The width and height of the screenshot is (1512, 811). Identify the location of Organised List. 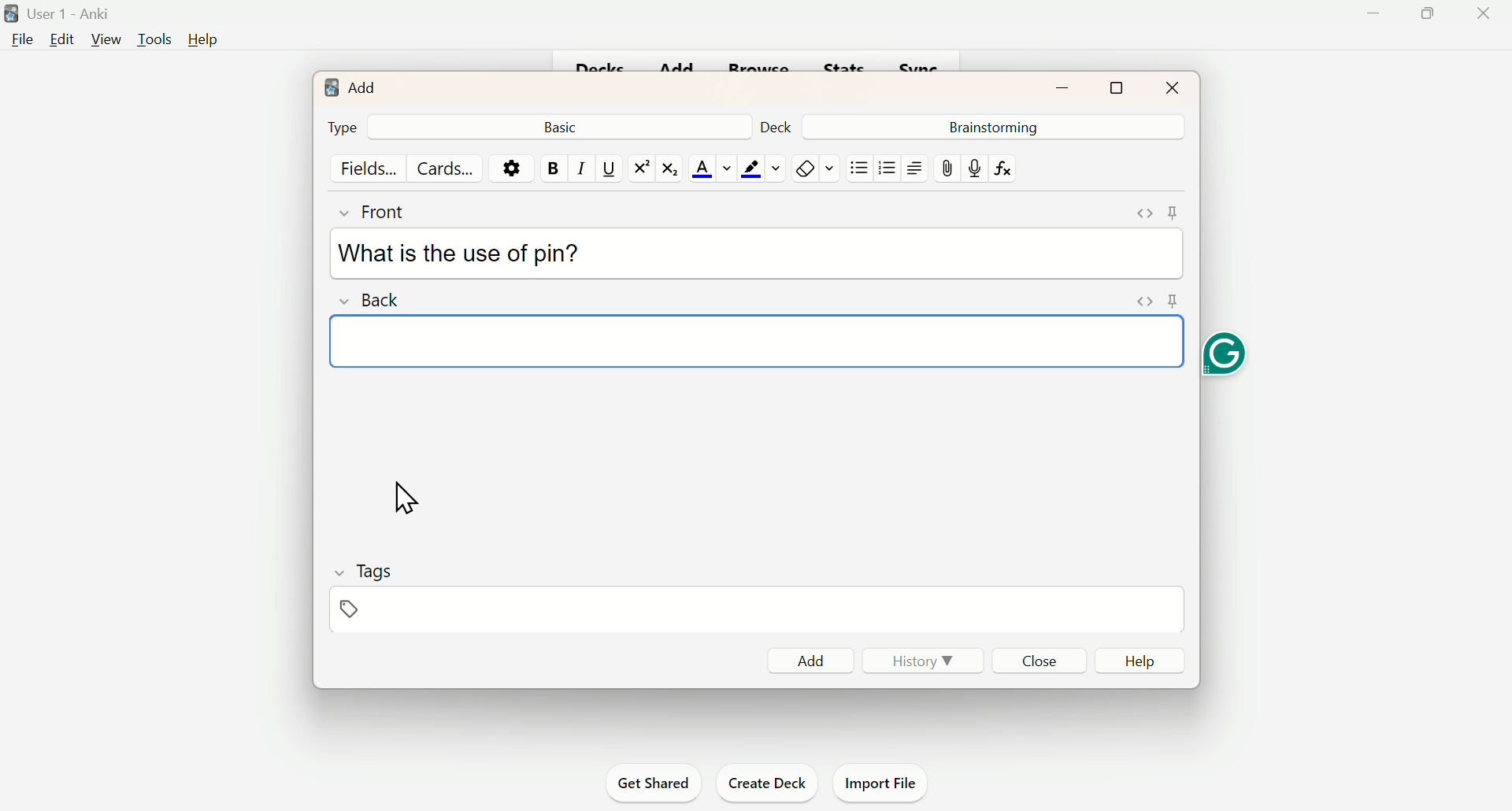
(884, 167).